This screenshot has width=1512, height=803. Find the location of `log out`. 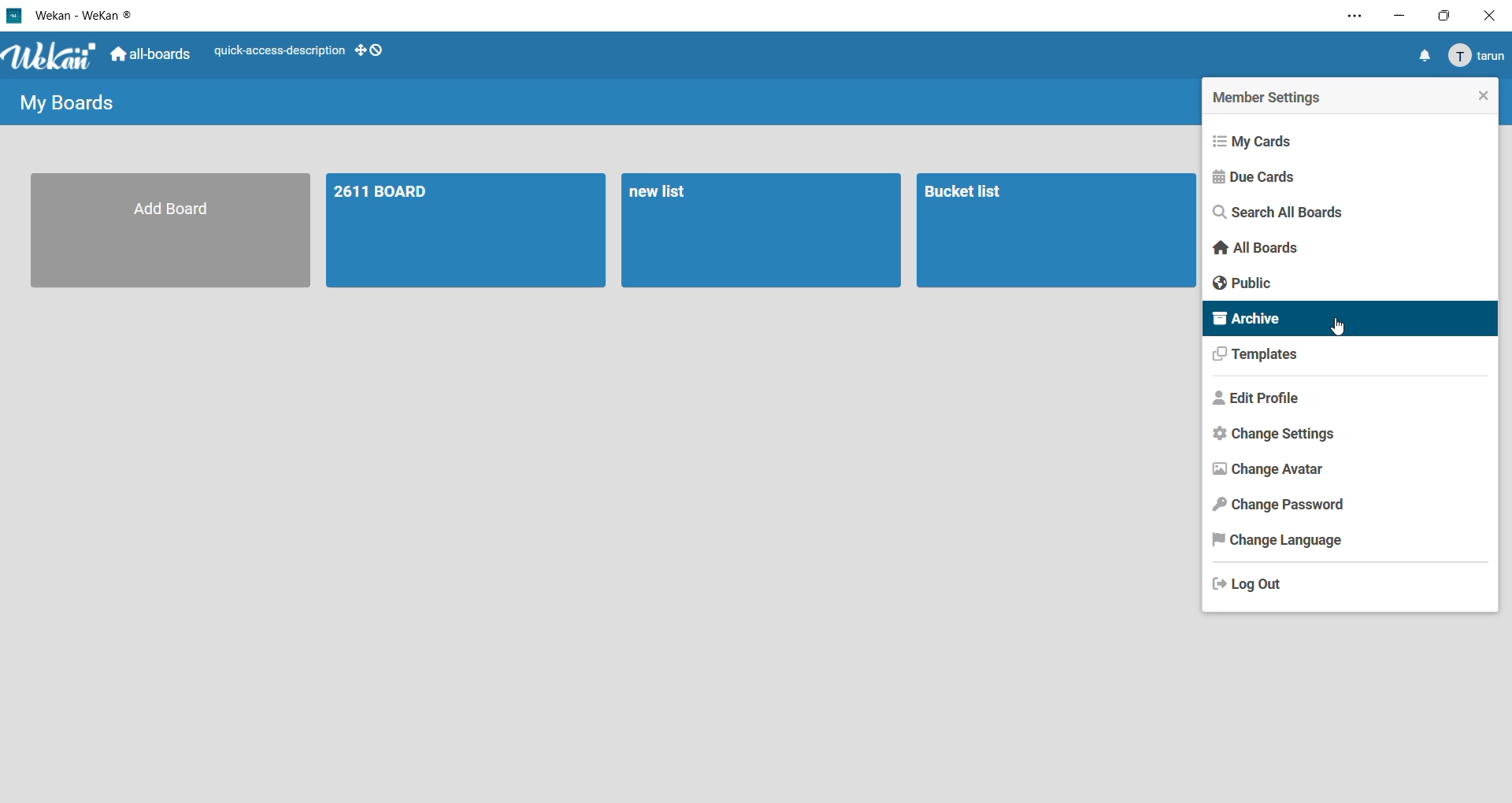

log out is located at coordinates (1254, 587).